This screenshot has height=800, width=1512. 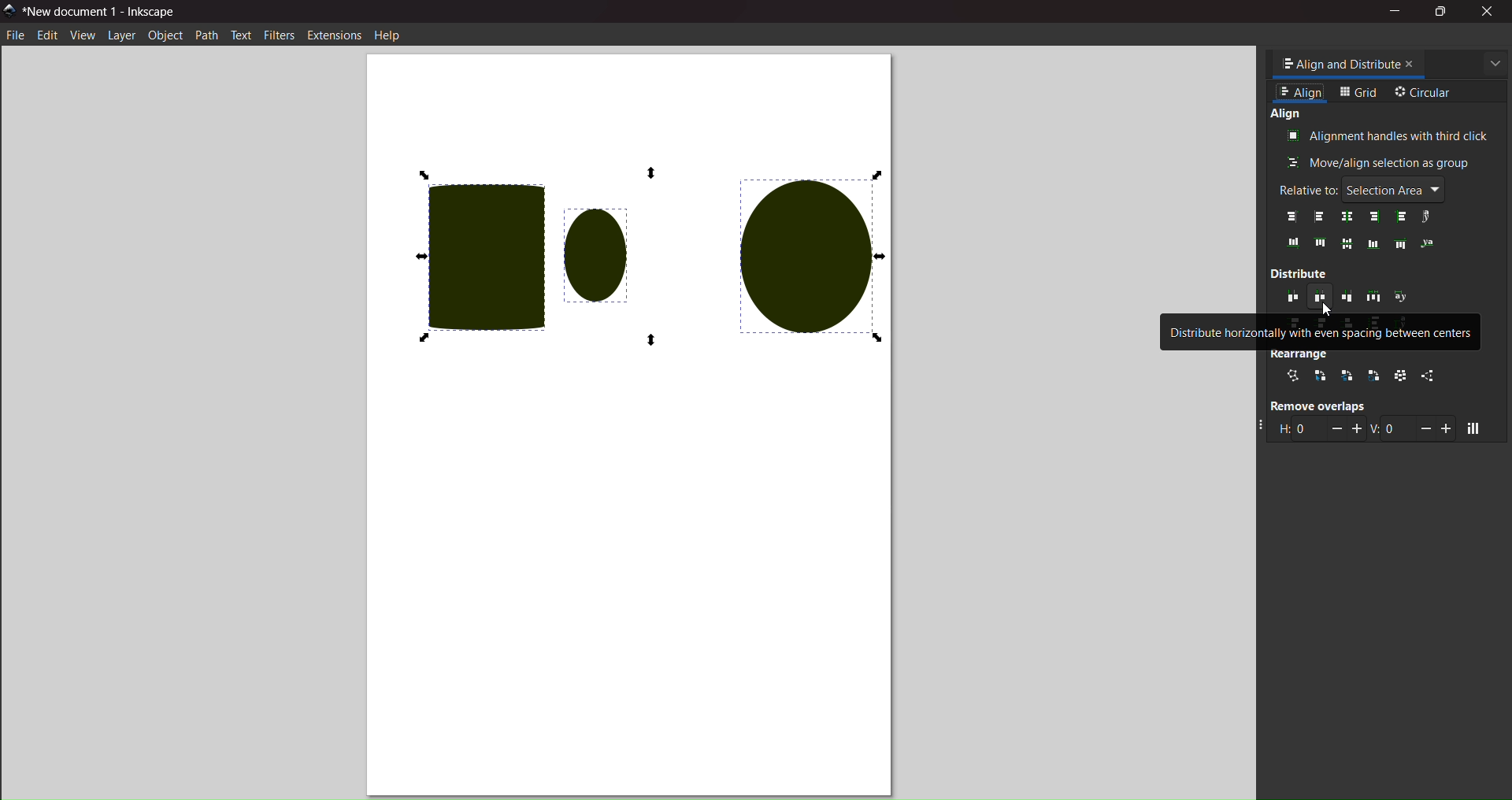 I want to click on distribute horizontally with even spacing between centers, so click(x=1319, y=298).